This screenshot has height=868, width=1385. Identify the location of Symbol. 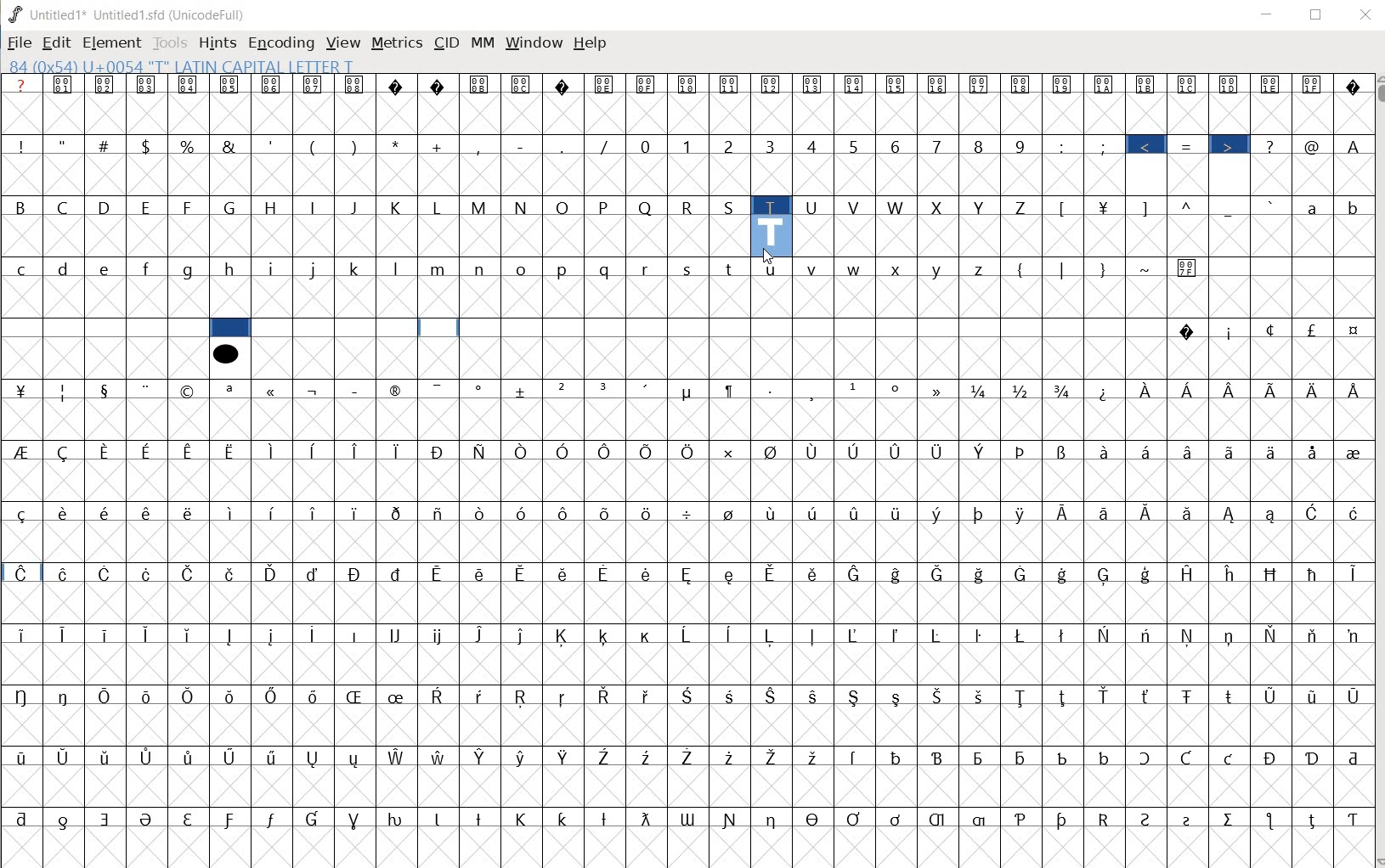
(730, 636).